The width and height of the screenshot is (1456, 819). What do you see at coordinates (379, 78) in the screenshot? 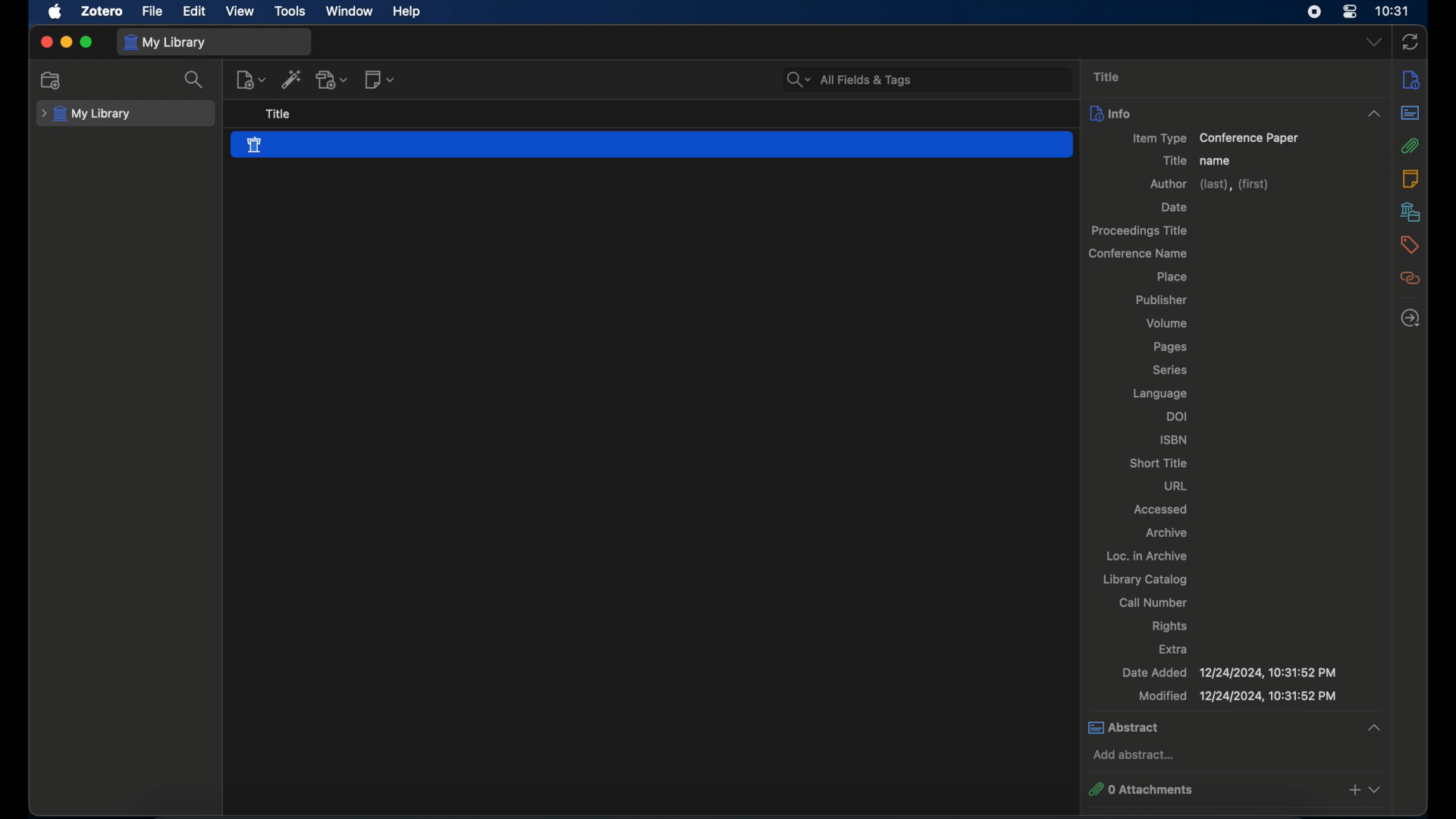
I see `new notes` at bounding box center [379, 78].